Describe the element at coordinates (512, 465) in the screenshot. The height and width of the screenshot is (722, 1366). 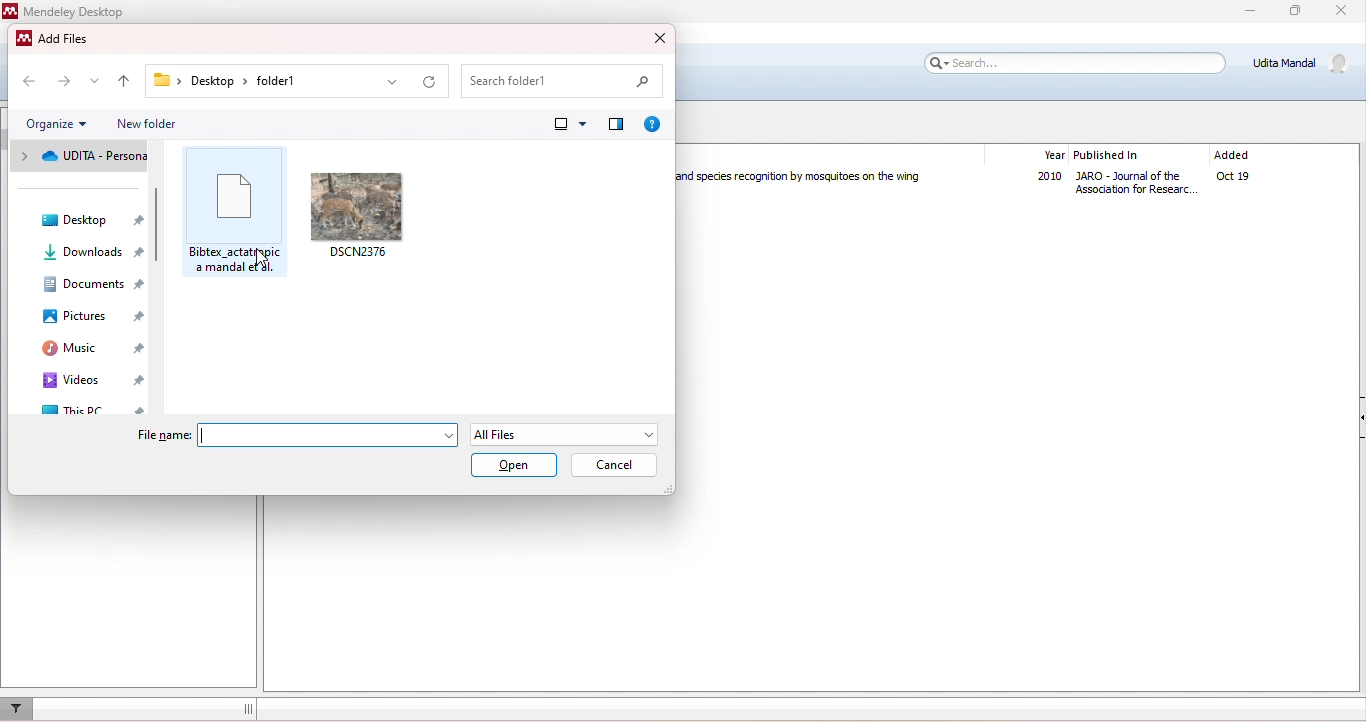
I see `open` at that location.